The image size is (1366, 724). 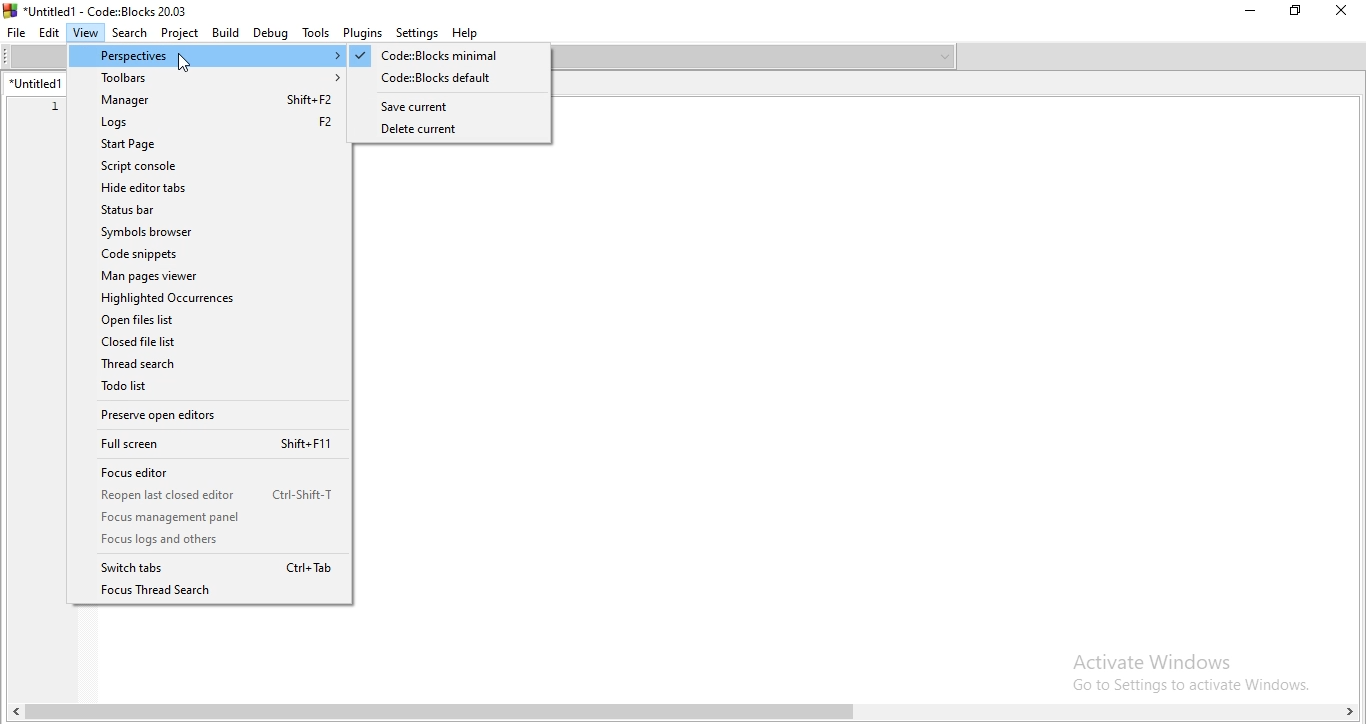 What do you see at coordinates (212, 541) in the screenshot?
I see `Focus legs and others` at bounding box center [212, 541].